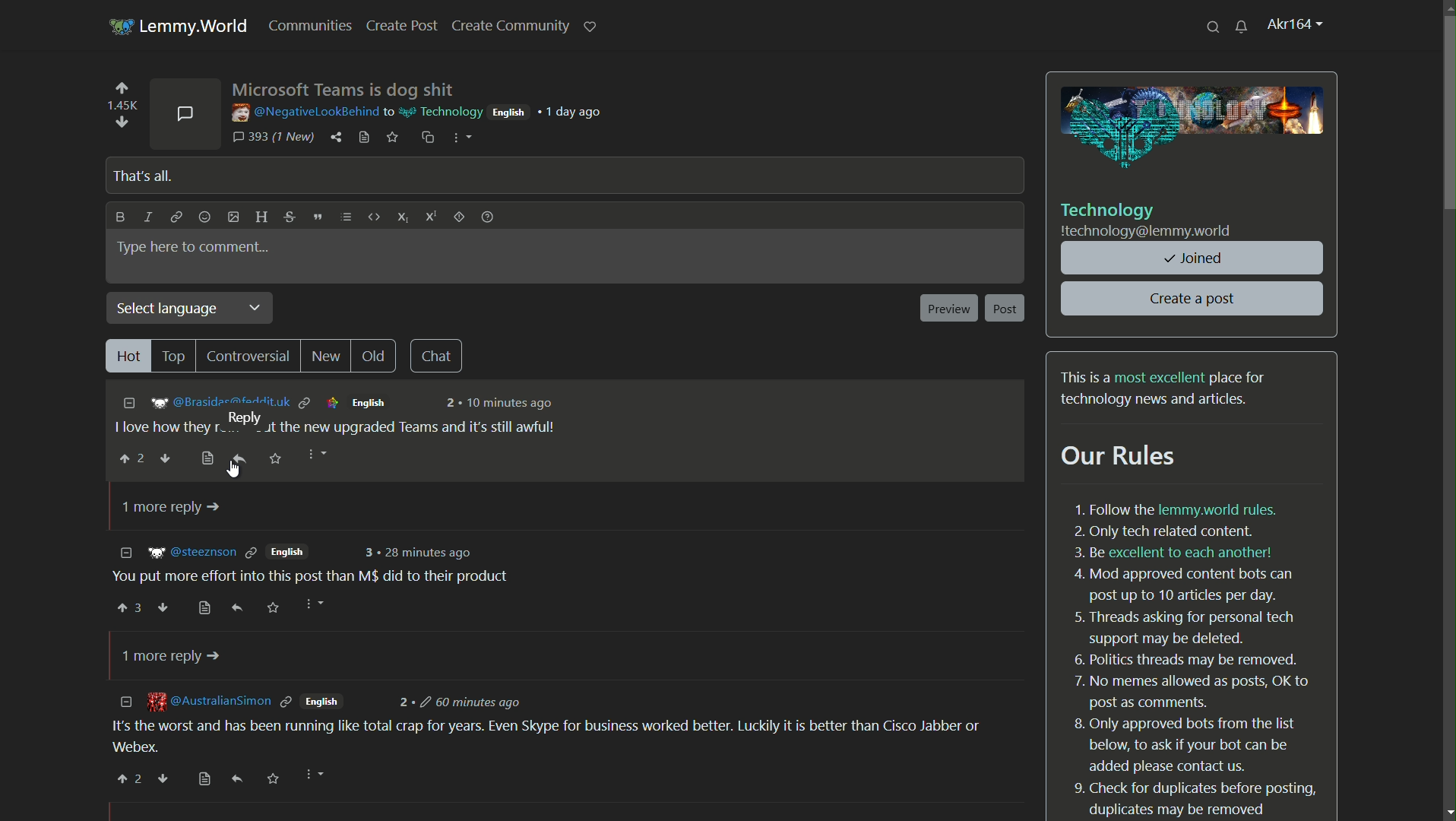 The image size is (1456, 821). Describe the element at coordinates (1242, 26) in the screenshot. I see `unread messages` at that location.